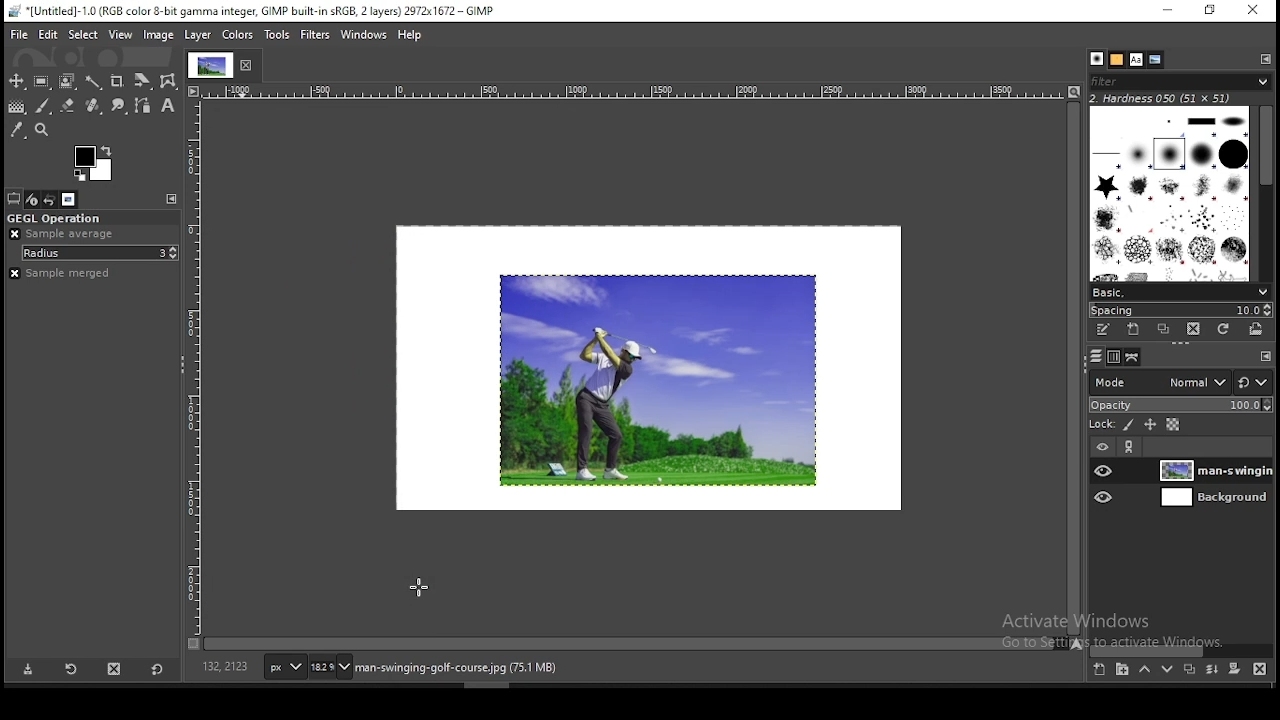 This screenshot has width=1280, height=720. I want to click on opacity, so click(1184, 405).